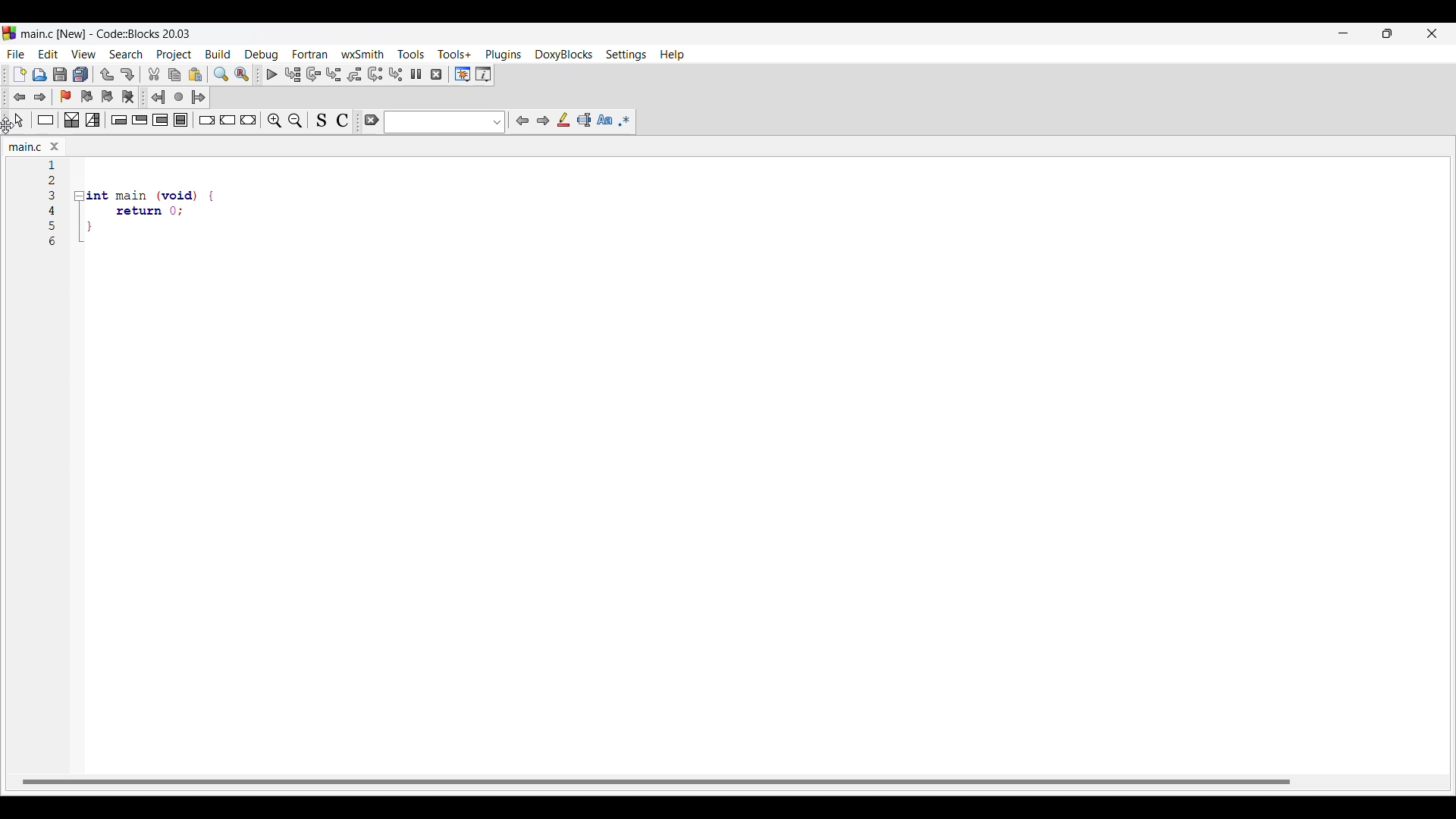 This screenshot has height=819, width=1456. What do you see at coordinates (52, 180) in the screenshot?
I see `` at bounding box center [52, 180].